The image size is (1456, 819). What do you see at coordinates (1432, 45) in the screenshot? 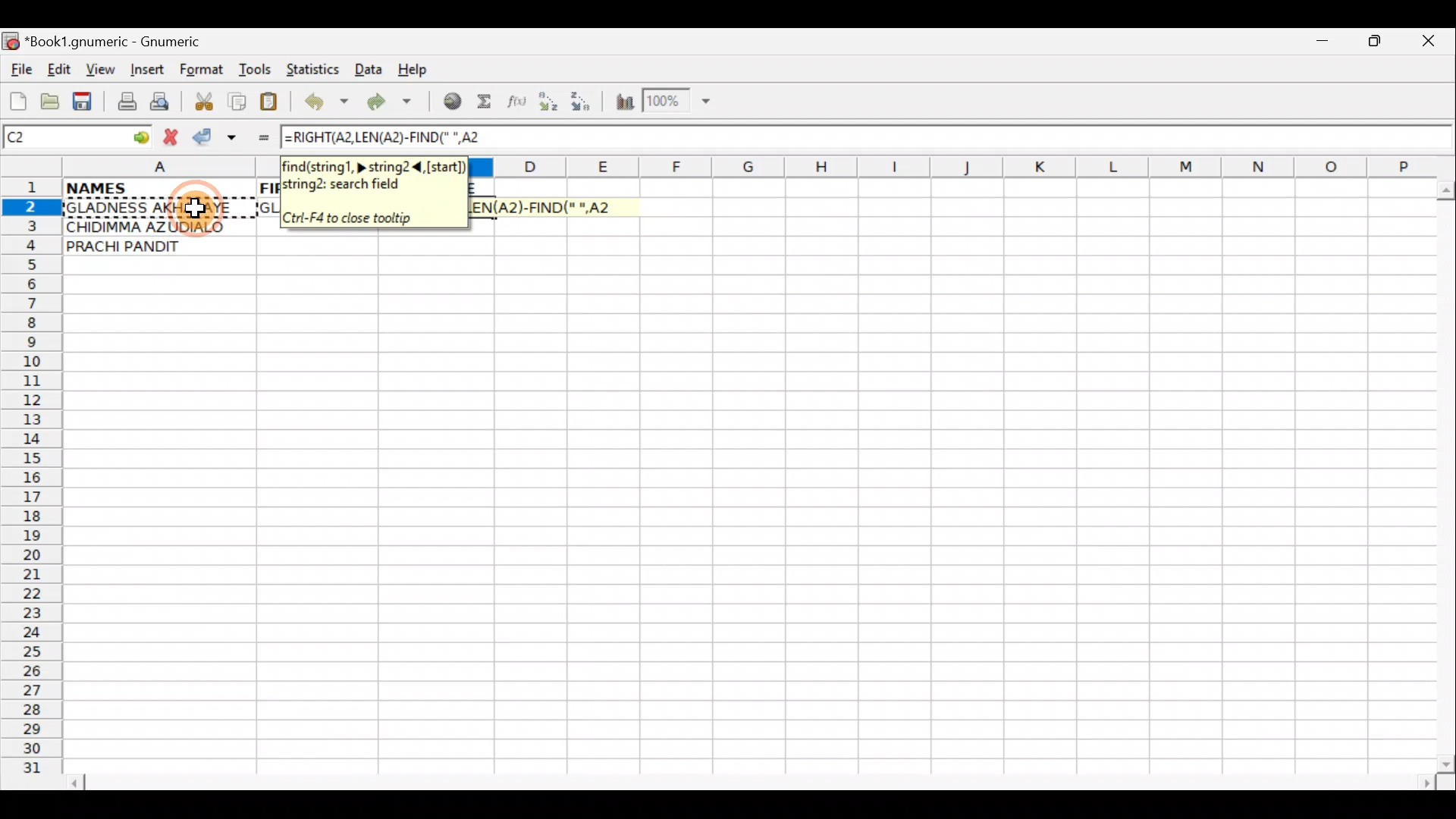
I see `Close` at bounding box center [1432, 45].